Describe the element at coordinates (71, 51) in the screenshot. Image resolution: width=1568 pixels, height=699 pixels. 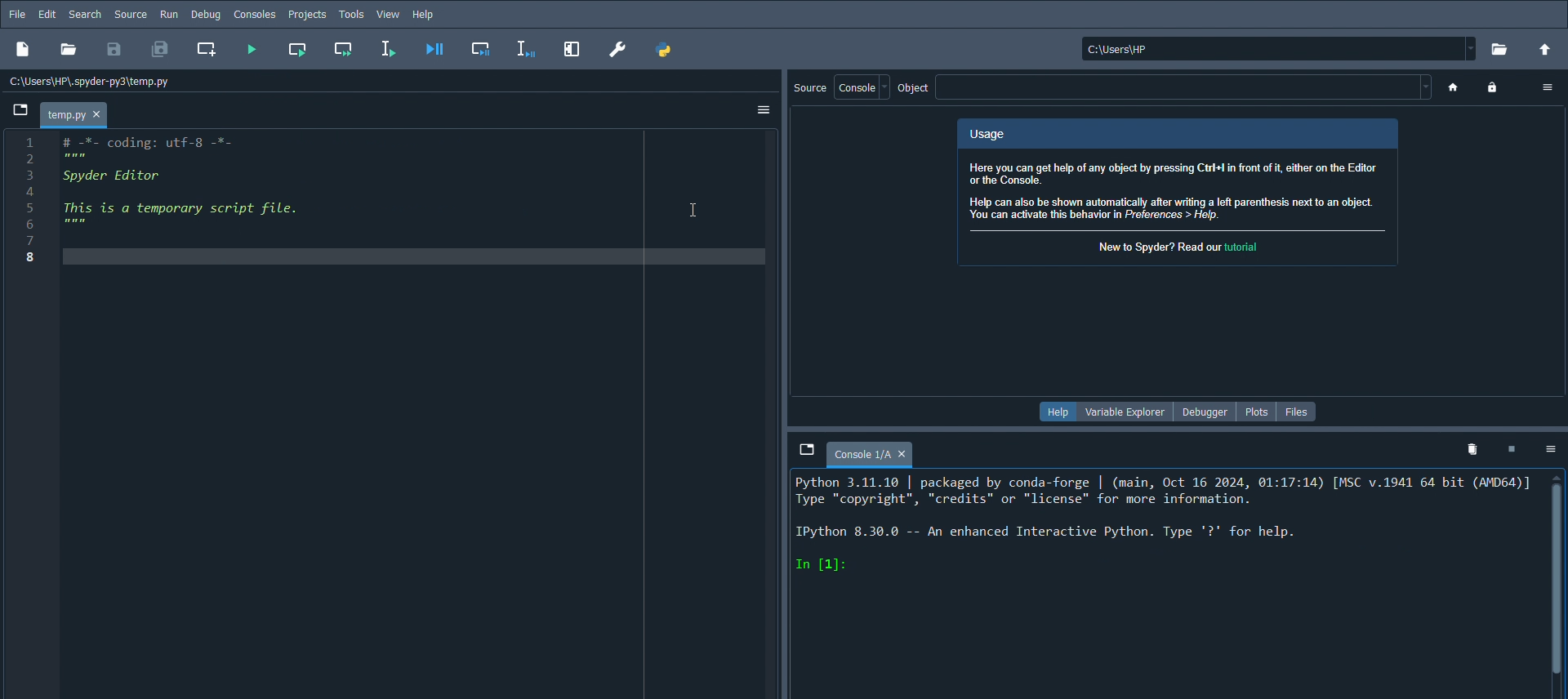
I see `Open file` at that location.